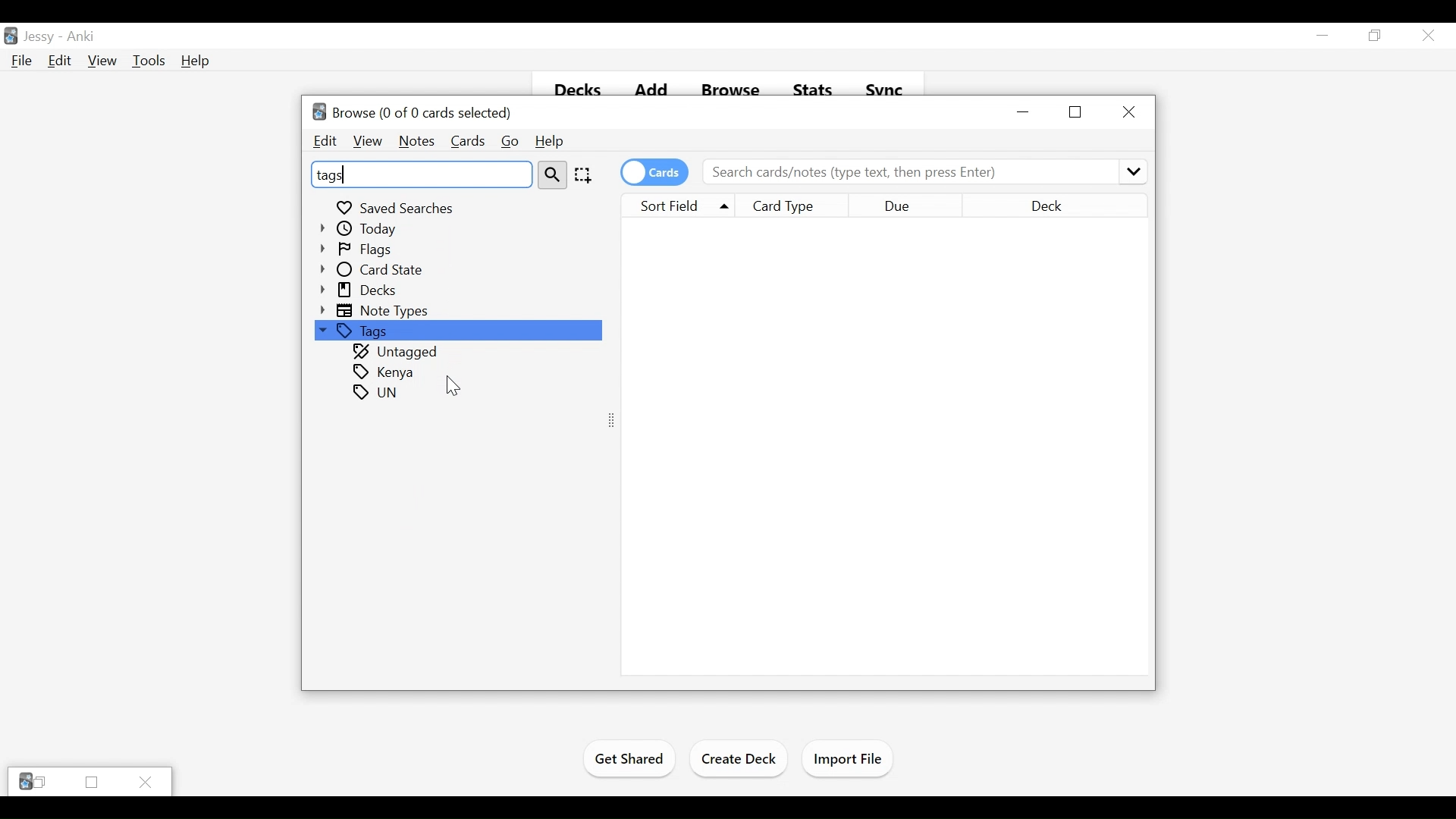 The image size is (1456, 819). What do you see at coordinates (11, 36) in the screenshot?
I see `Anki Desktop Icon` at bounding box center [11, 36].